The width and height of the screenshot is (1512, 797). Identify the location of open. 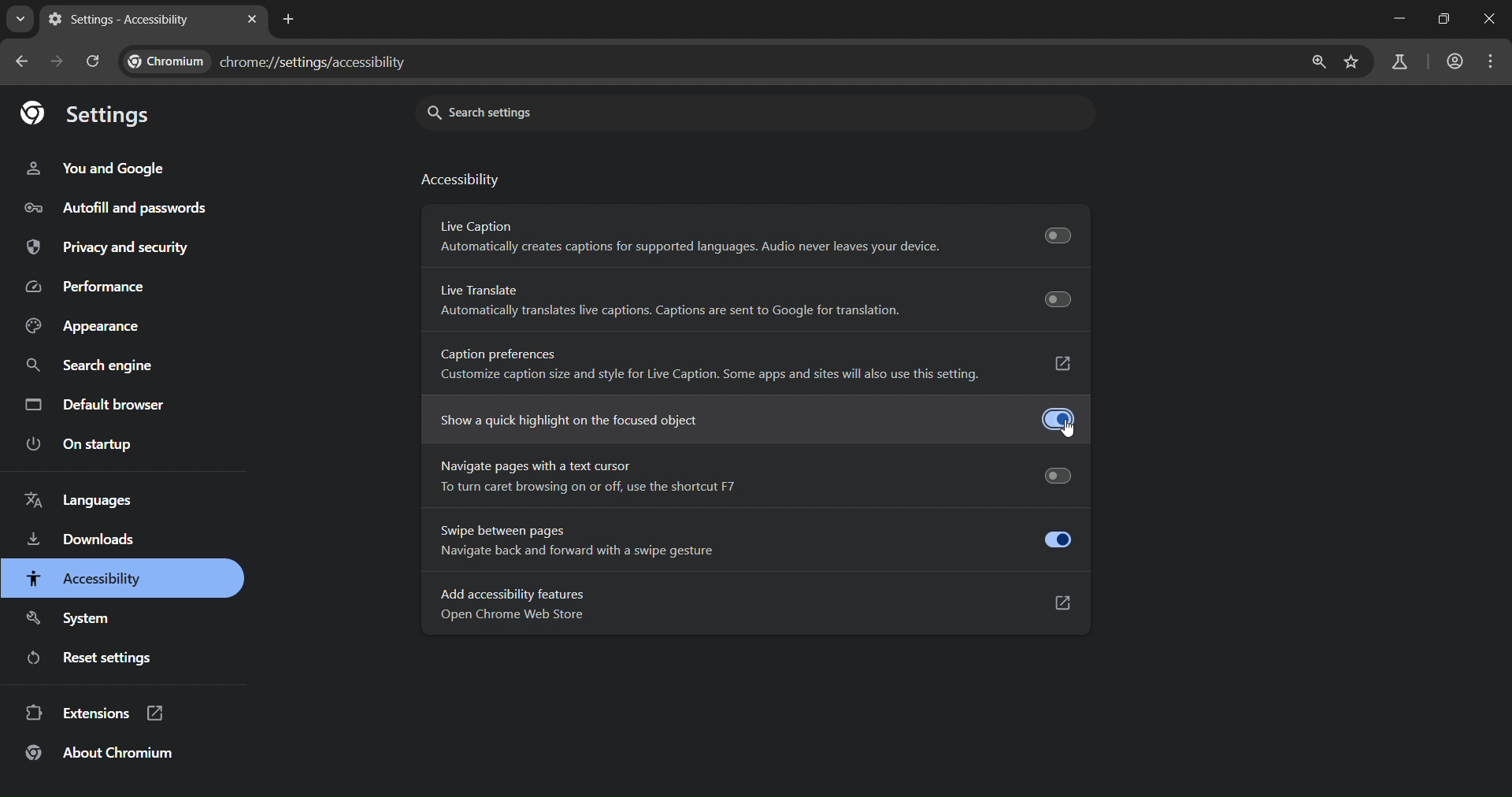
(1065, 365).